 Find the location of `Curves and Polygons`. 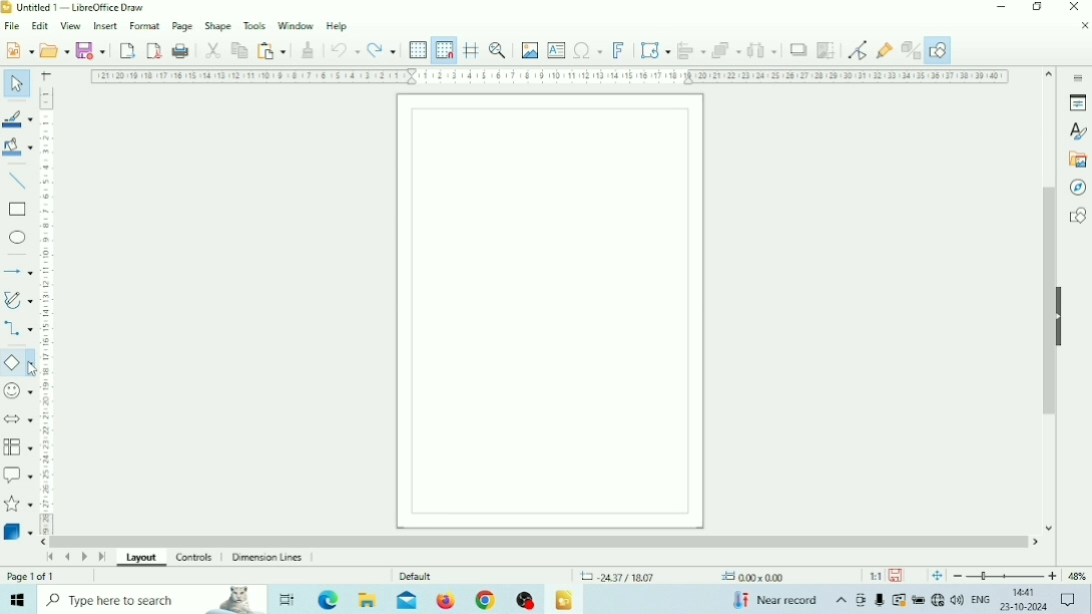

Curves and Polygons is located at coordinates (18, 300).